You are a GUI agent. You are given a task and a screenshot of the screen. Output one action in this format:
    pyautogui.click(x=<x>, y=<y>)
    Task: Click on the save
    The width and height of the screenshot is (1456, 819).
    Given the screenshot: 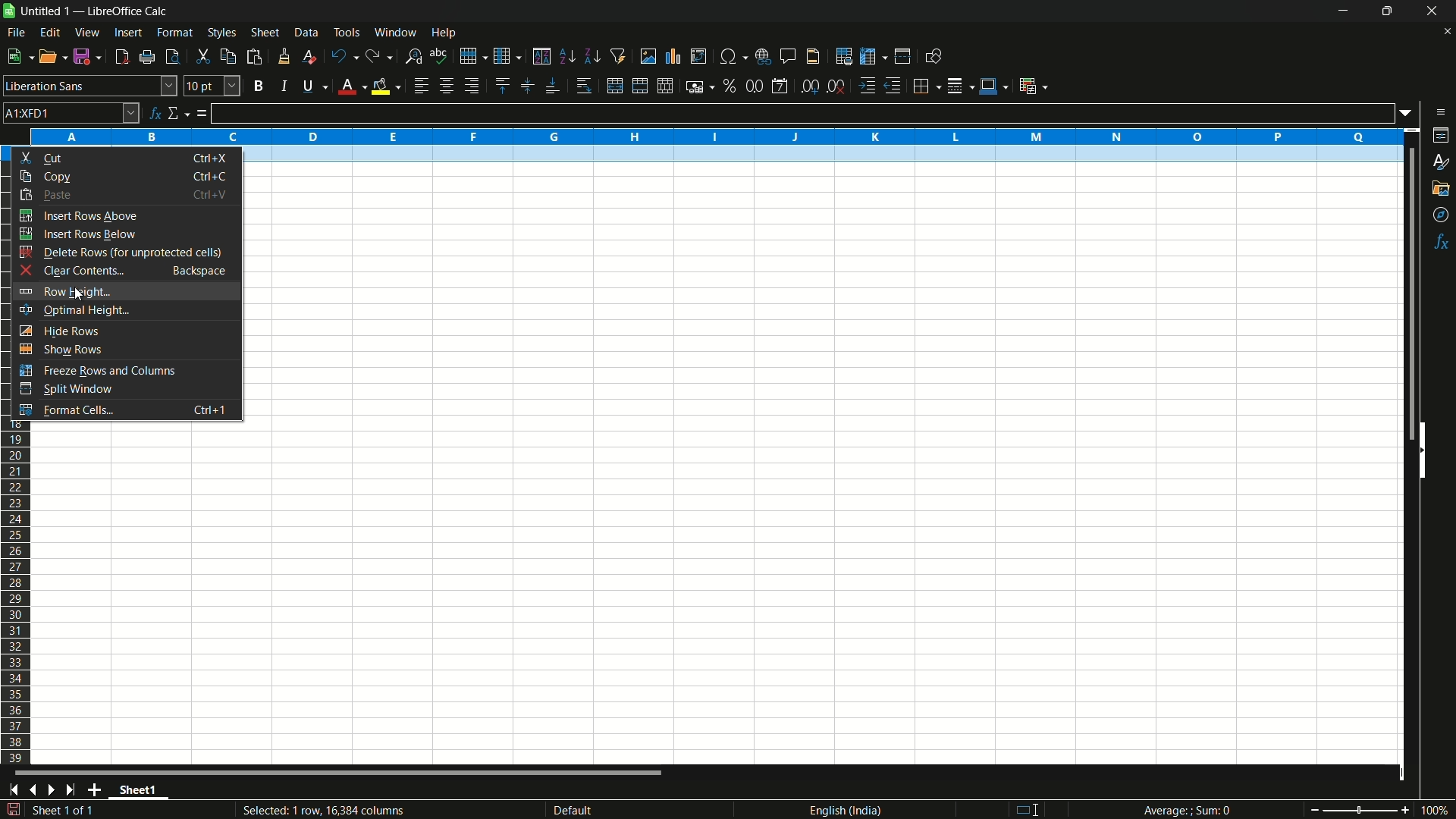 What is the action you would take?
    pyautogui.click(x=89, y=57)
    